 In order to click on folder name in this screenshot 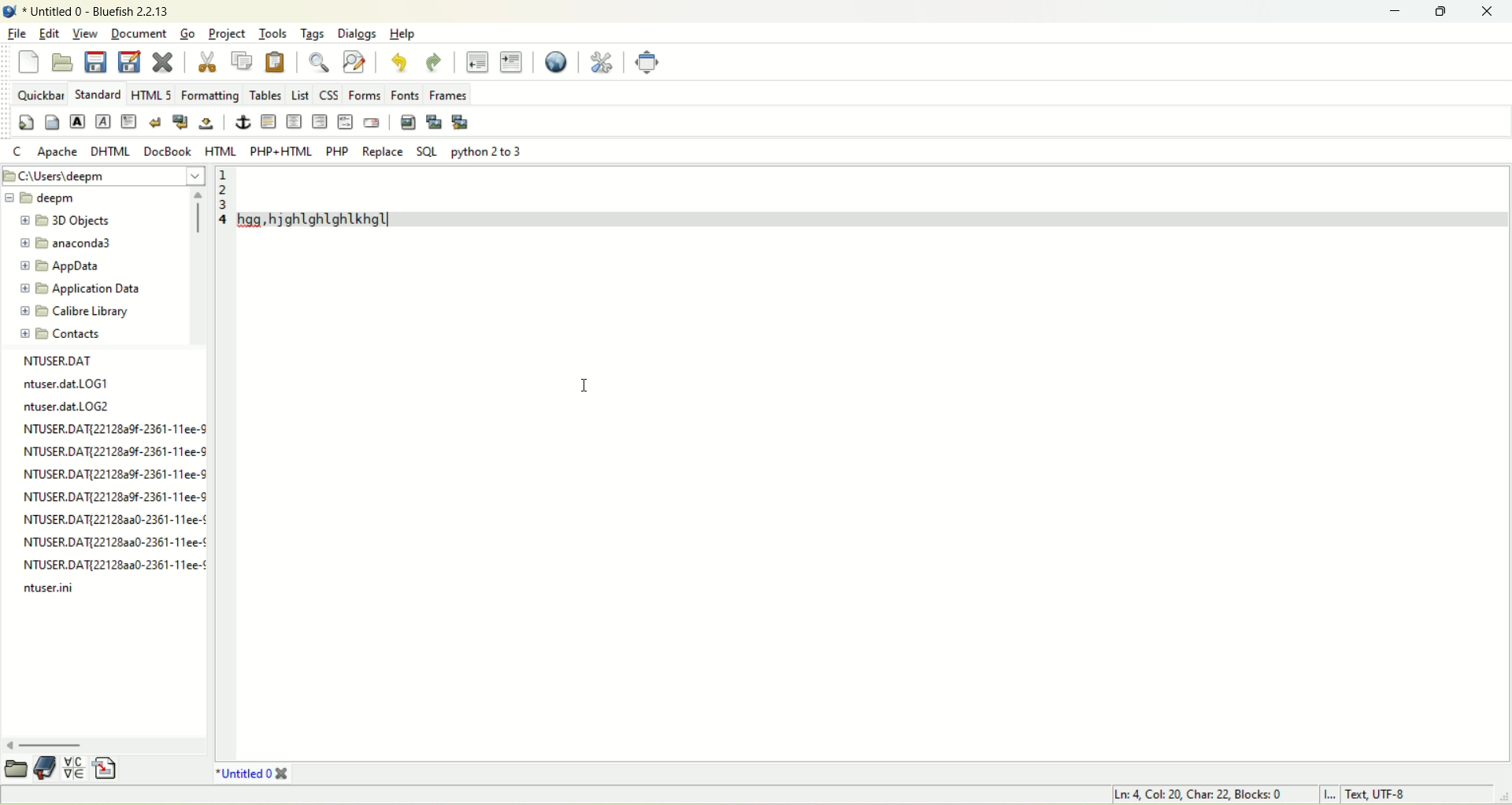, I will do `click(86, 310)`.